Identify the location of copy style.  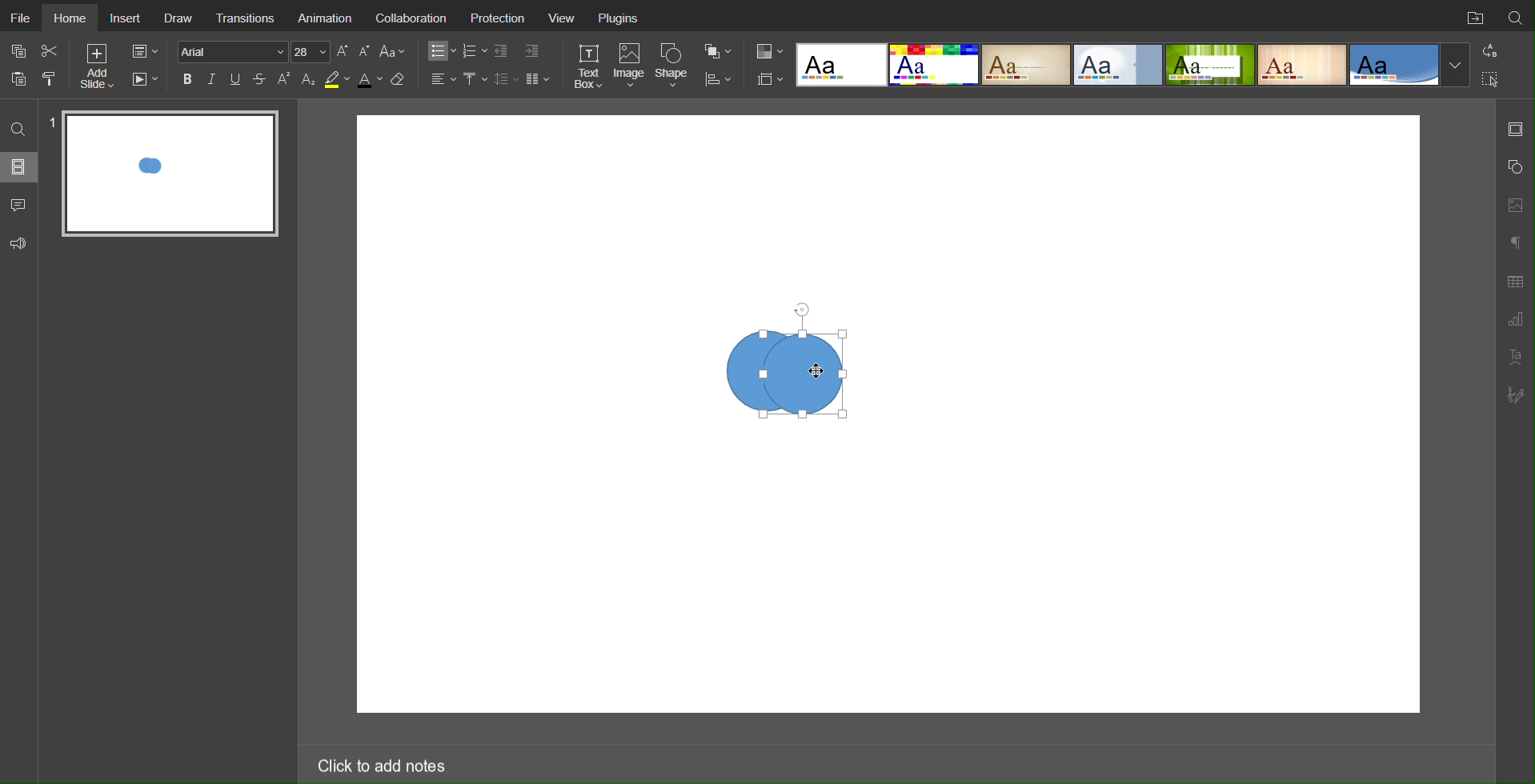
(55, 78).